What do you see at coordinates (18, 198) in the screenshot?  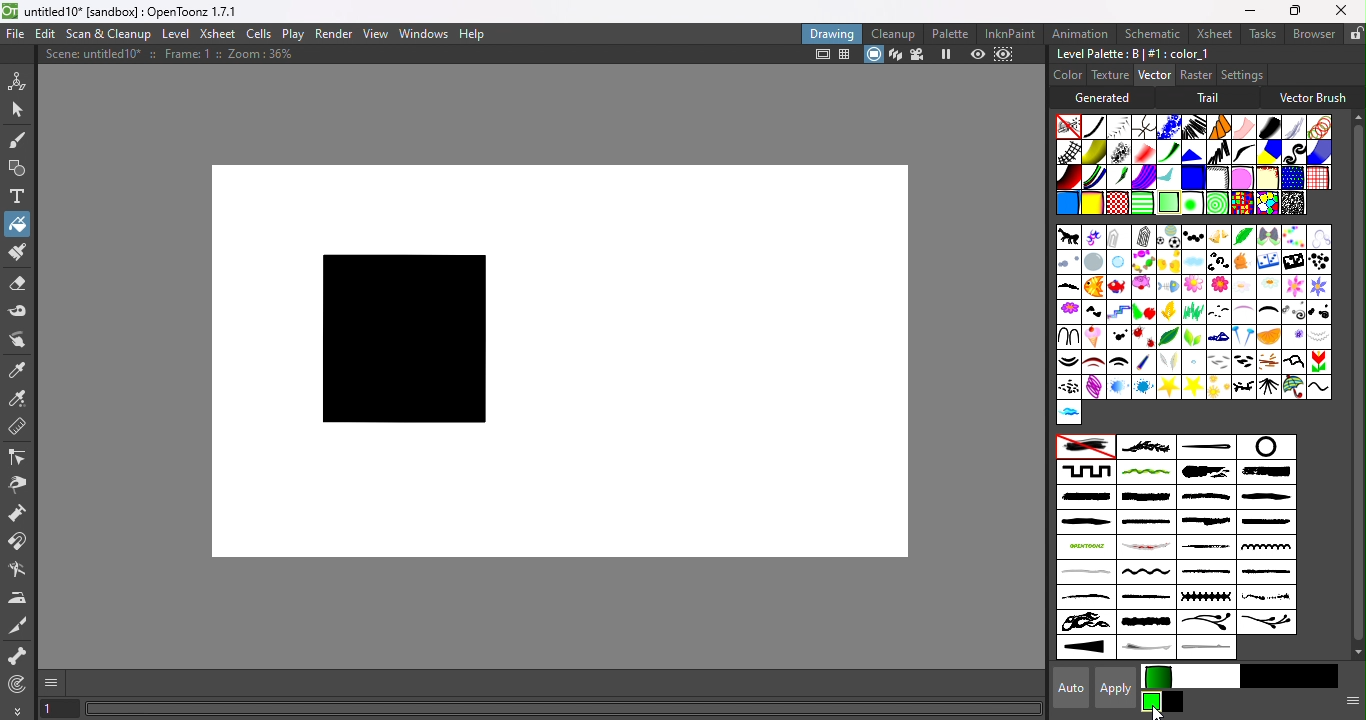 I see `Type tool` at bounding box center [18, 198].